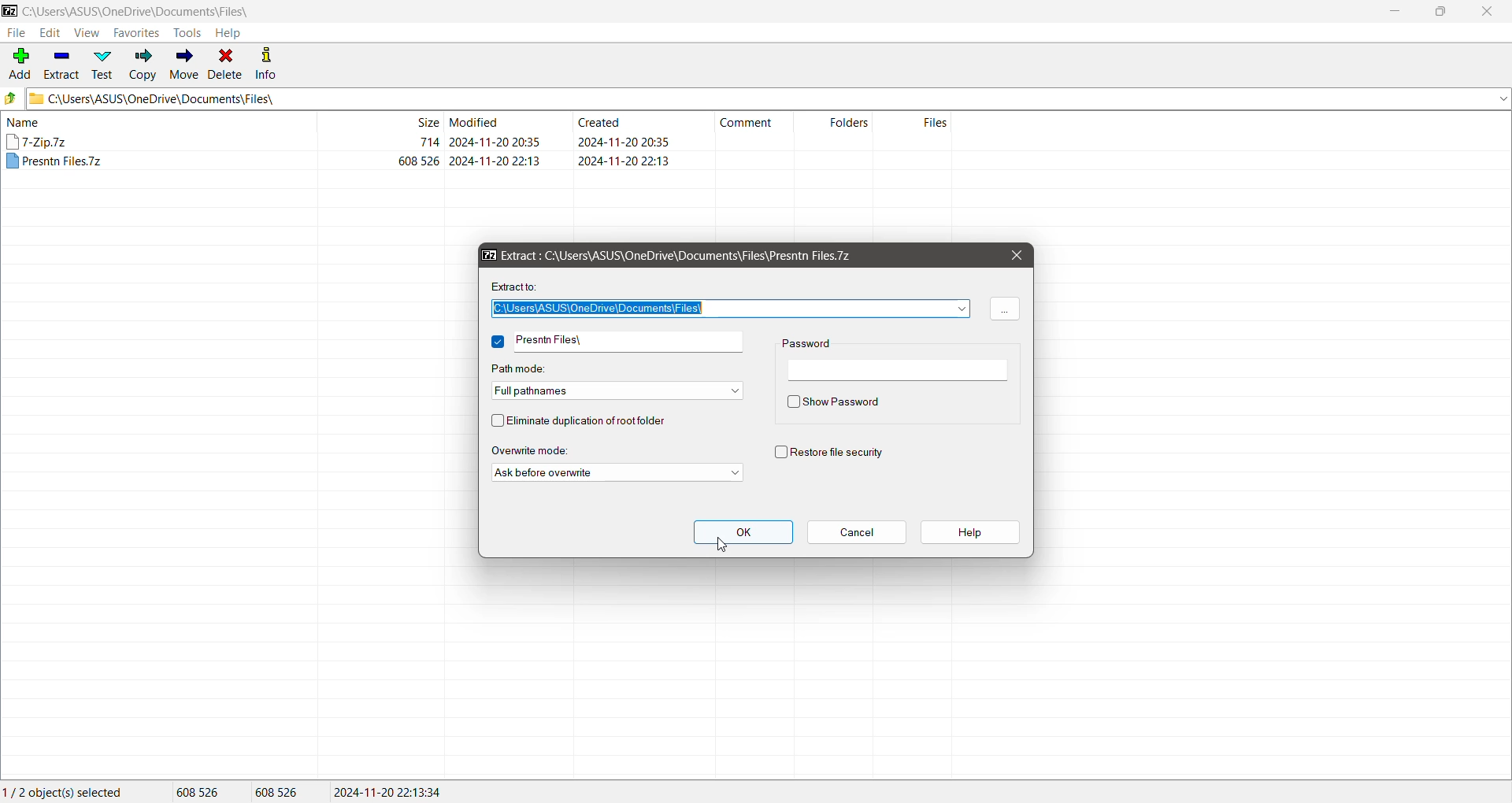  What do you see at coordinates (673, 254) in the screenshot?
I see `Extract : Archive File Path` at bounding box center [673, 254].